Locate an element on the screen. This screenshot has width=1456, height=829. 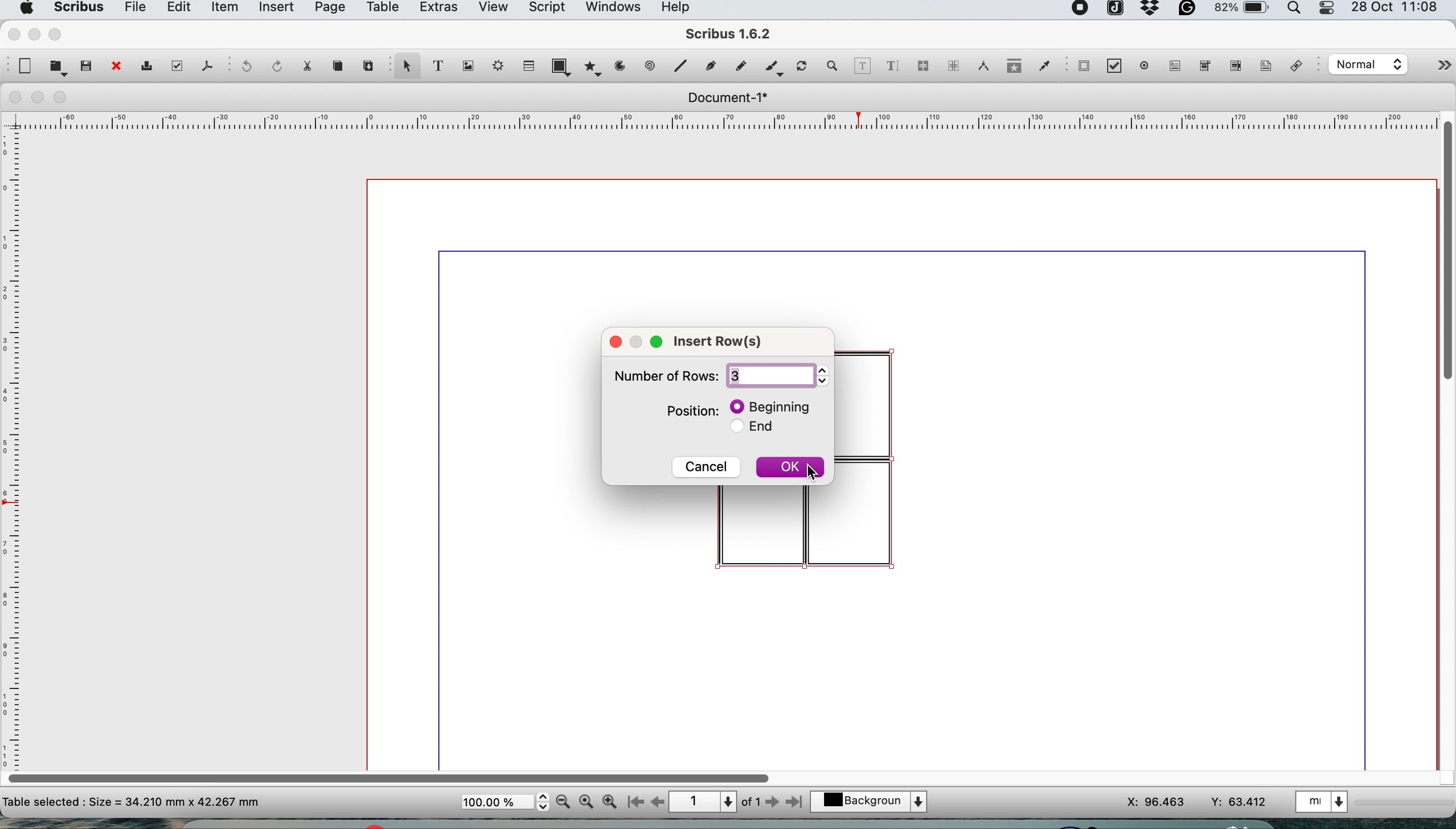
dropbox is located at coordinates (1151, 13).